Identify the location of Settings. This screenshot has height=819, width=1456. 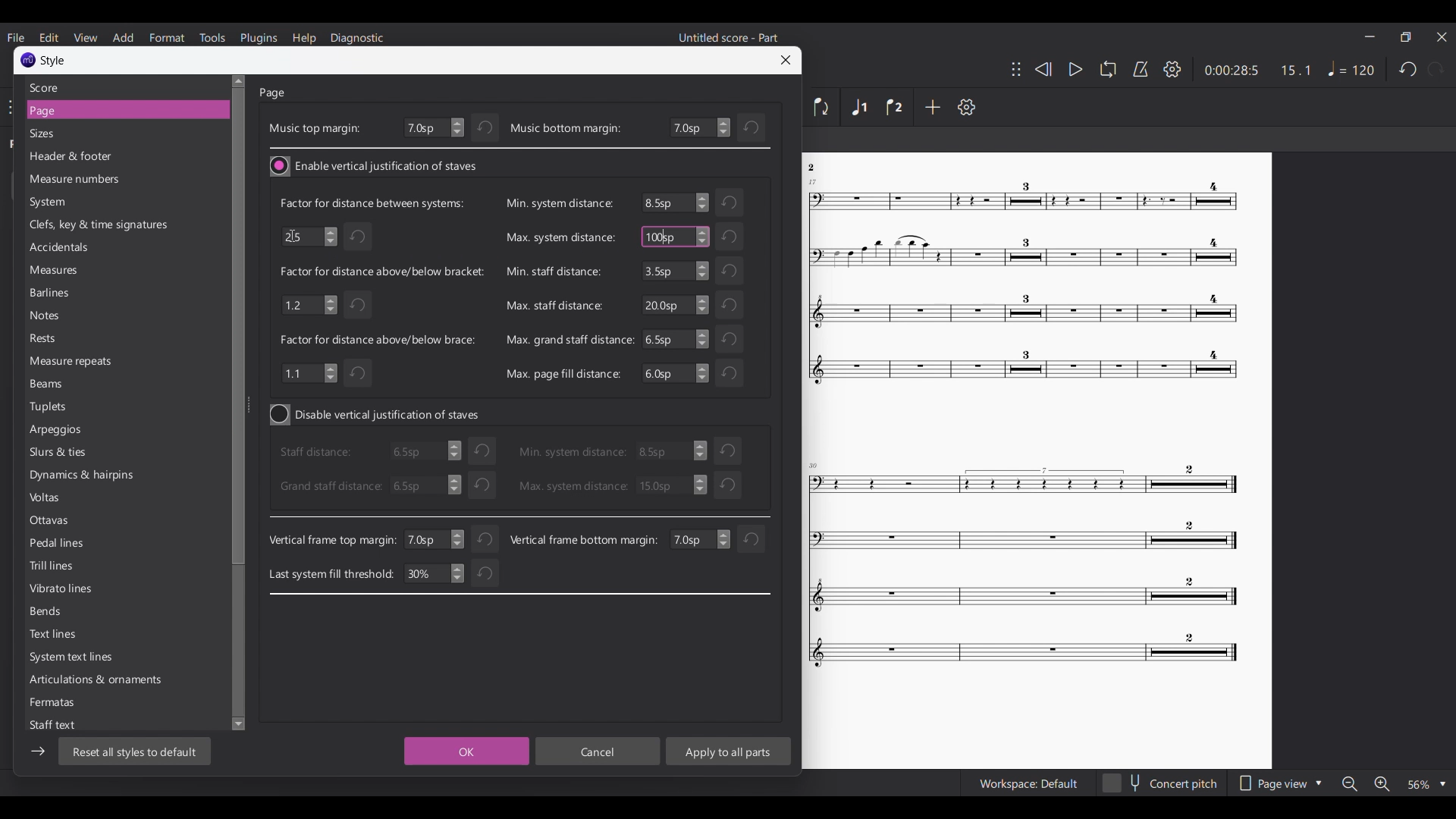
(1172, 69).